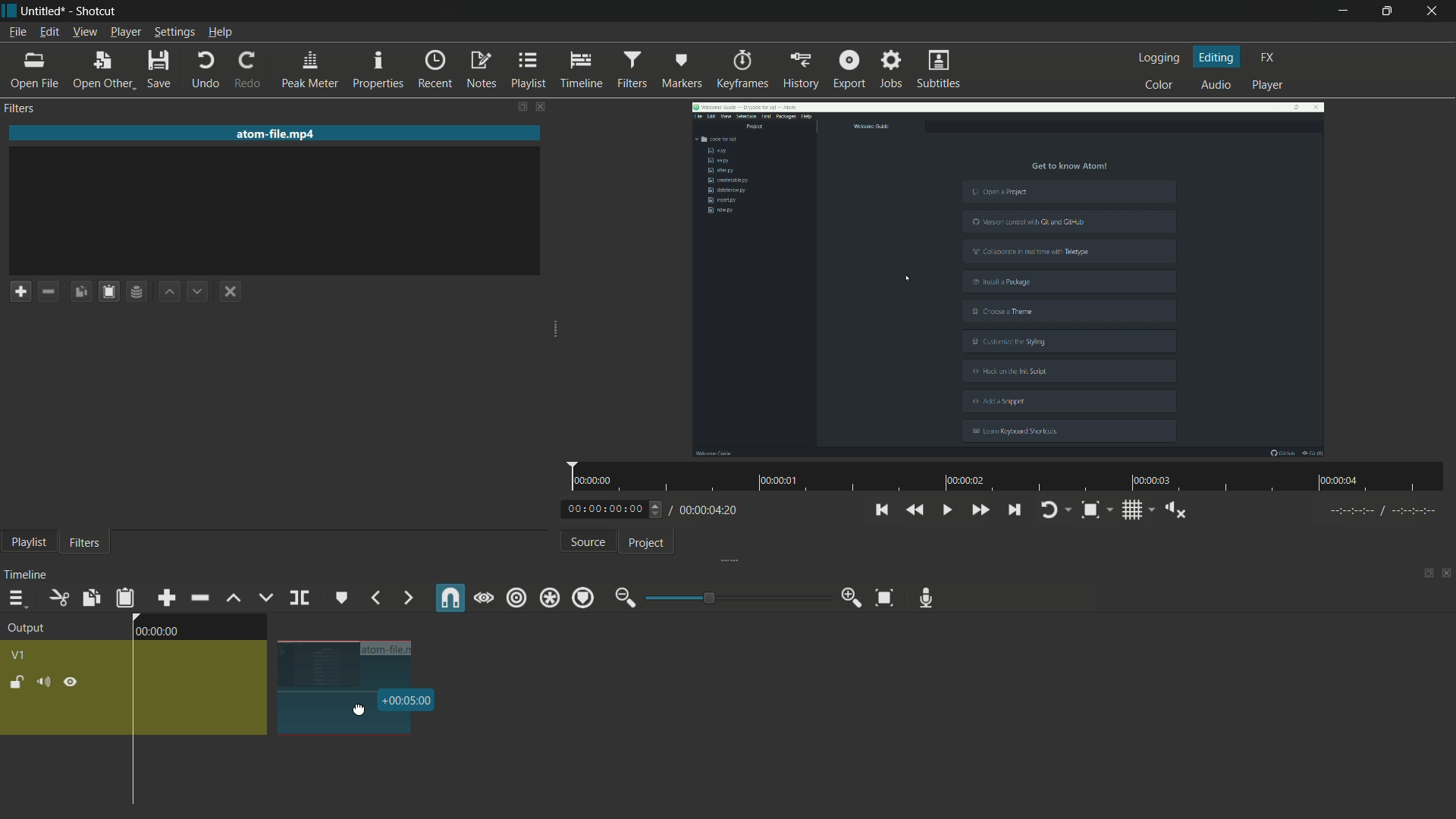 The width and height of the screenshot is (1456, 819). What do you see at coordinates (10, 11) in the screenshot?
I see `` at bounding box center [10, 11].